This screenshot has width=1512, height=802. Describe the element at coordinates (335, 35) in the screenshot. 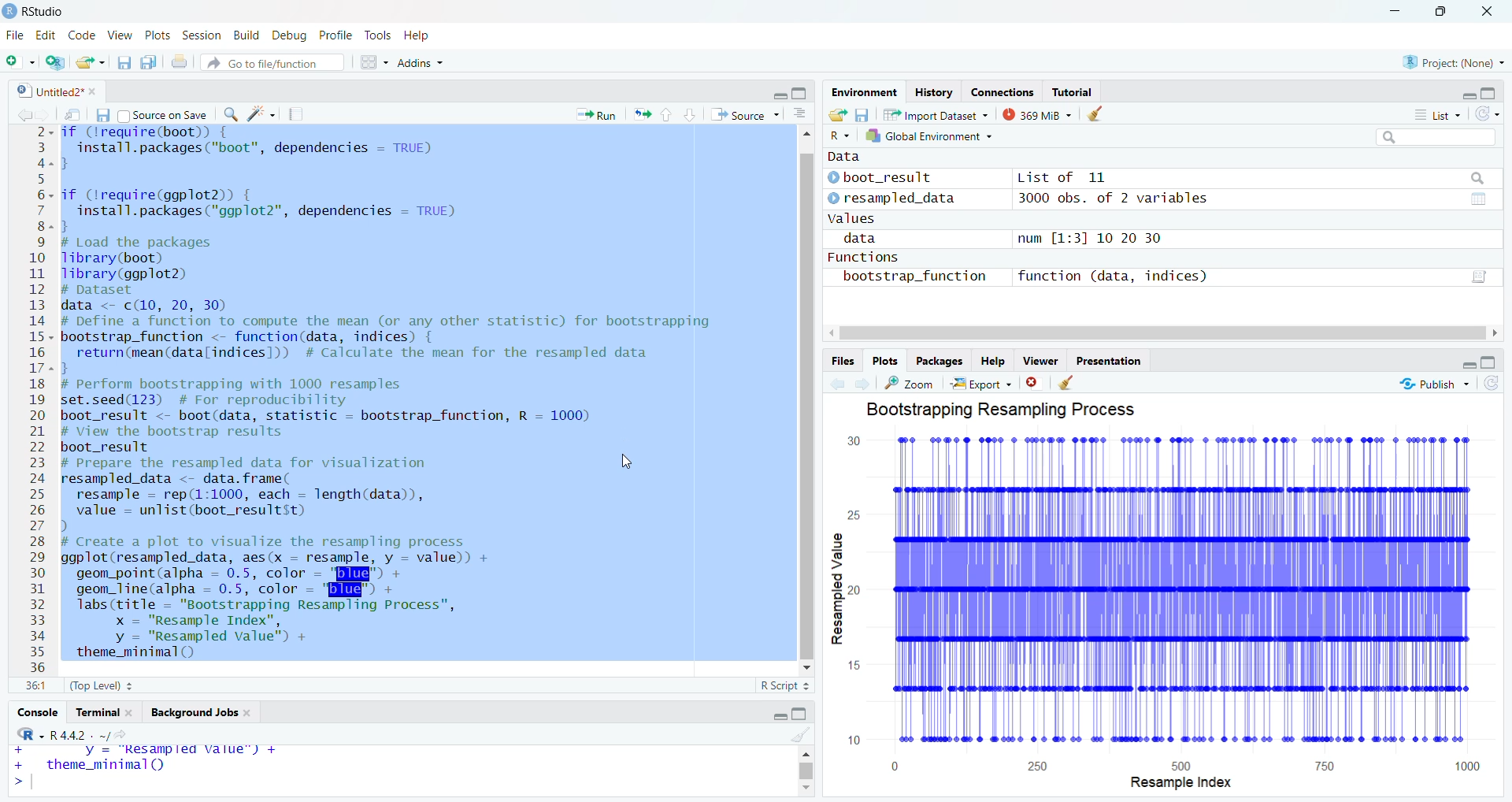

I see ` Profile` at that location.